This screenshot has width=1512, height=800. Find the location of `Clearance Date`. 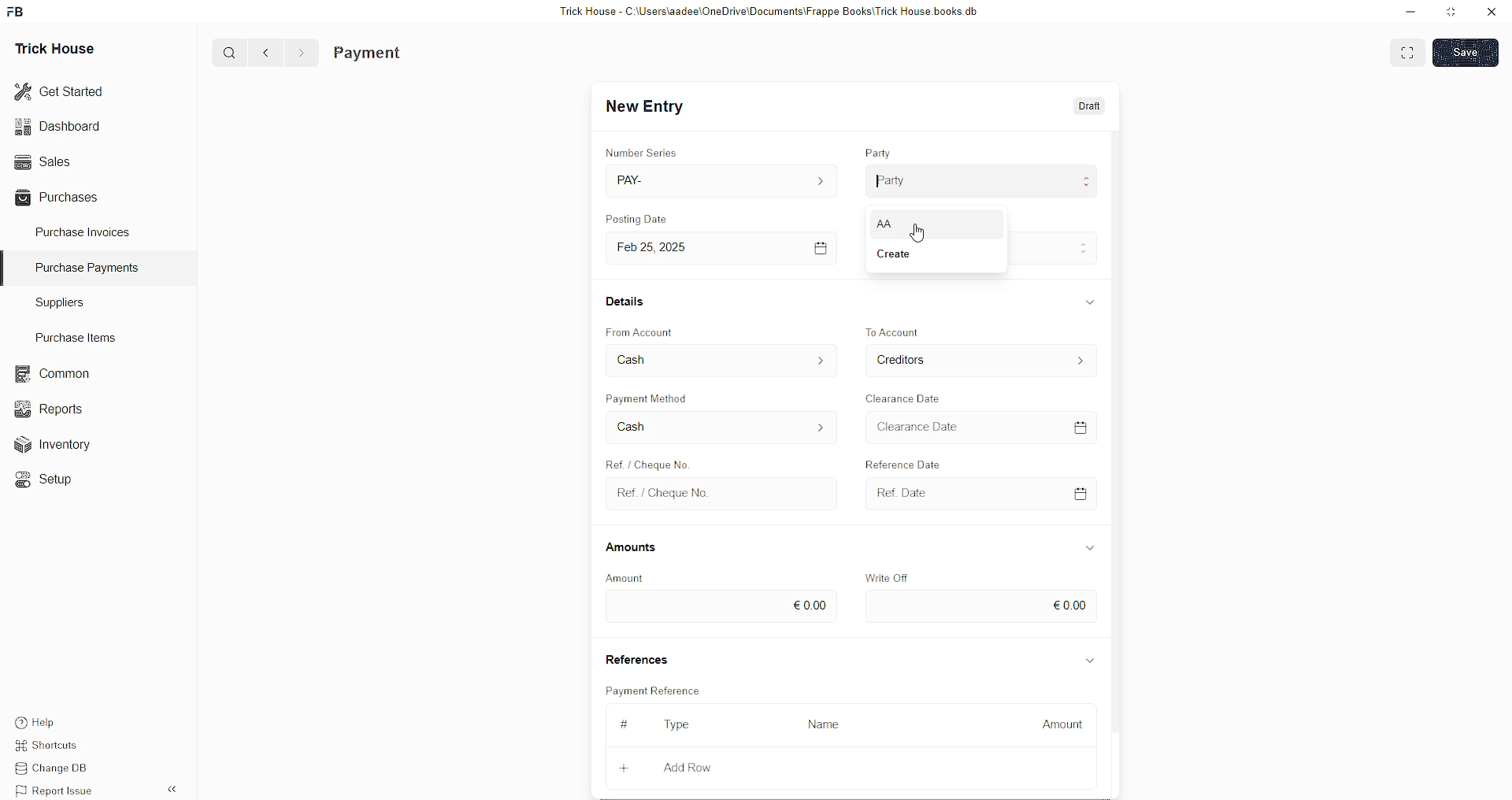

Clearance Date is located at coordinates (925, 428).